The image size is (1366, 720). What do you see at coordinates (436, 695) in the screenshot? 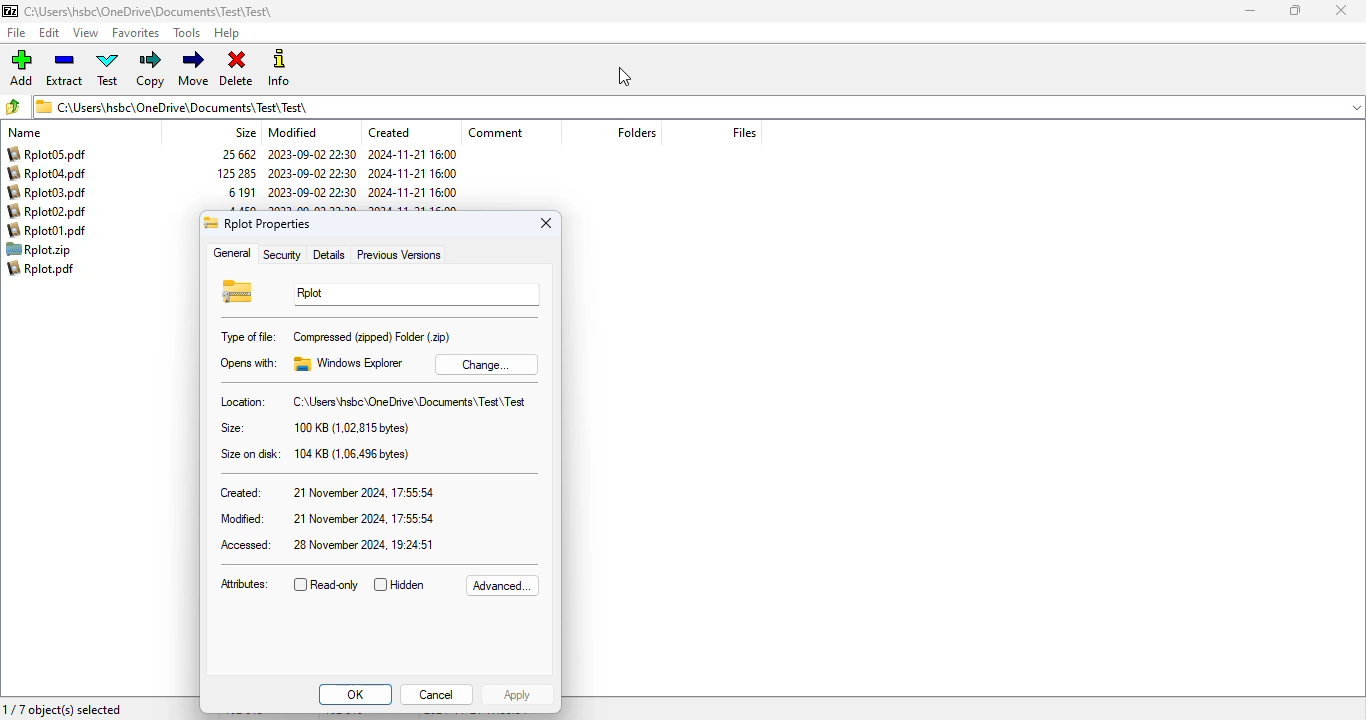
I see `cancel` at bounding box center [436, 695].